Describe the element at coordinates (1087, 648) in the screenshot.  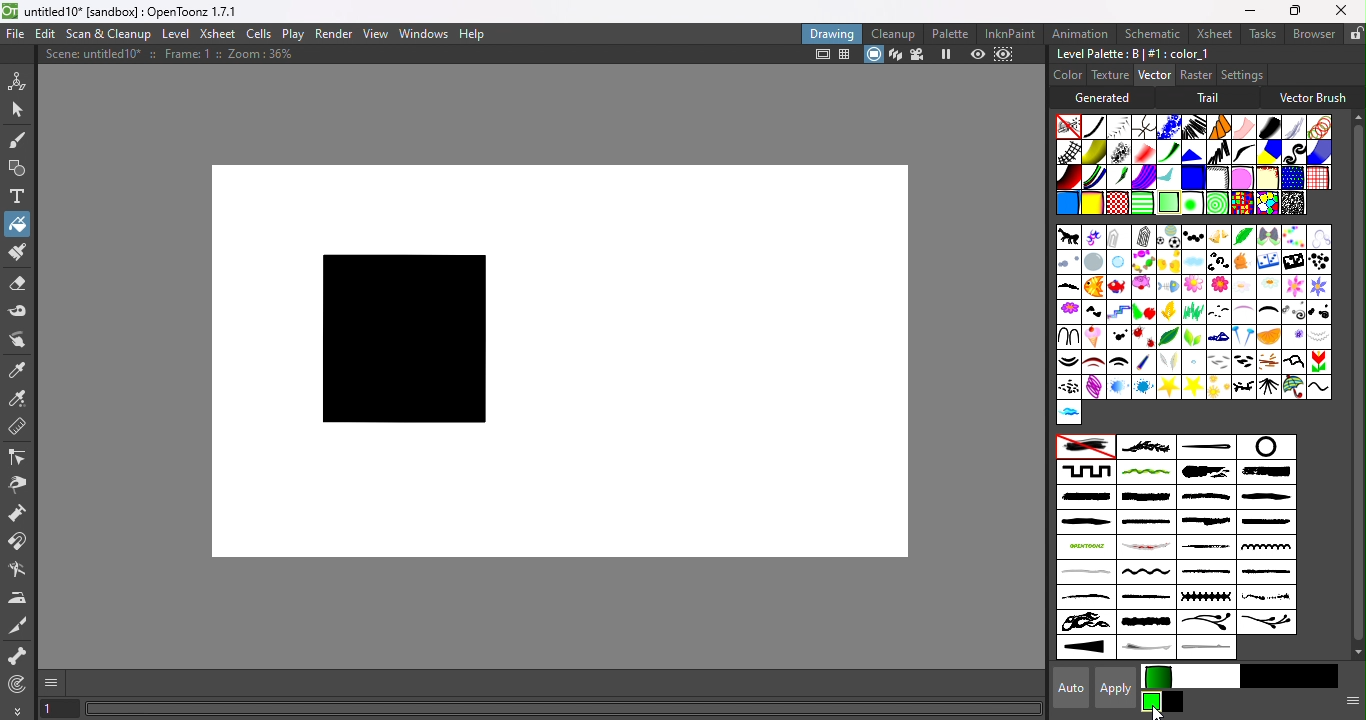
I see `thickening` at that location.